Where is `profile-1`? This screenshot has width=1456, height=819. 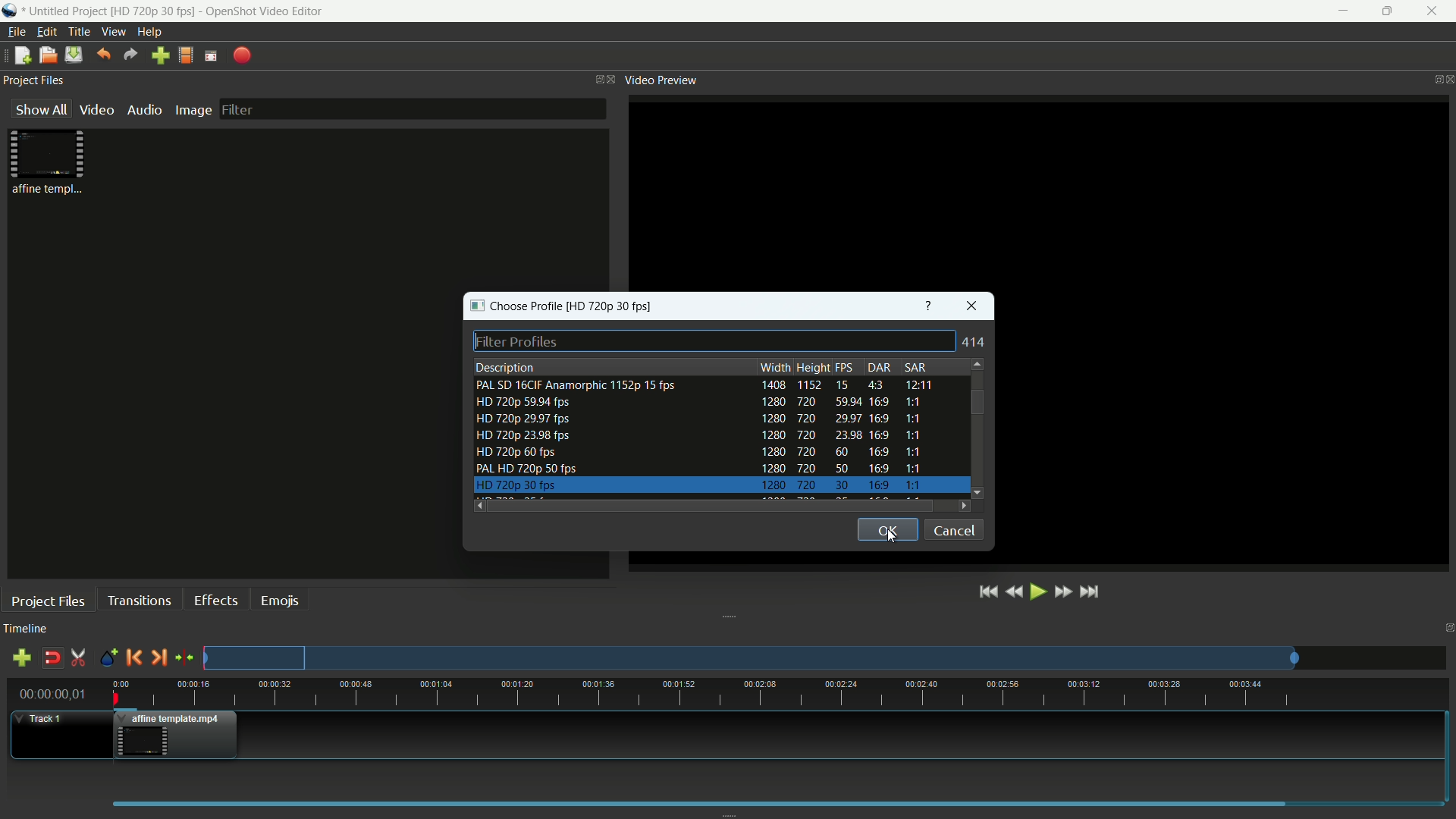 profile-1 is located at coordinates (704, 384).